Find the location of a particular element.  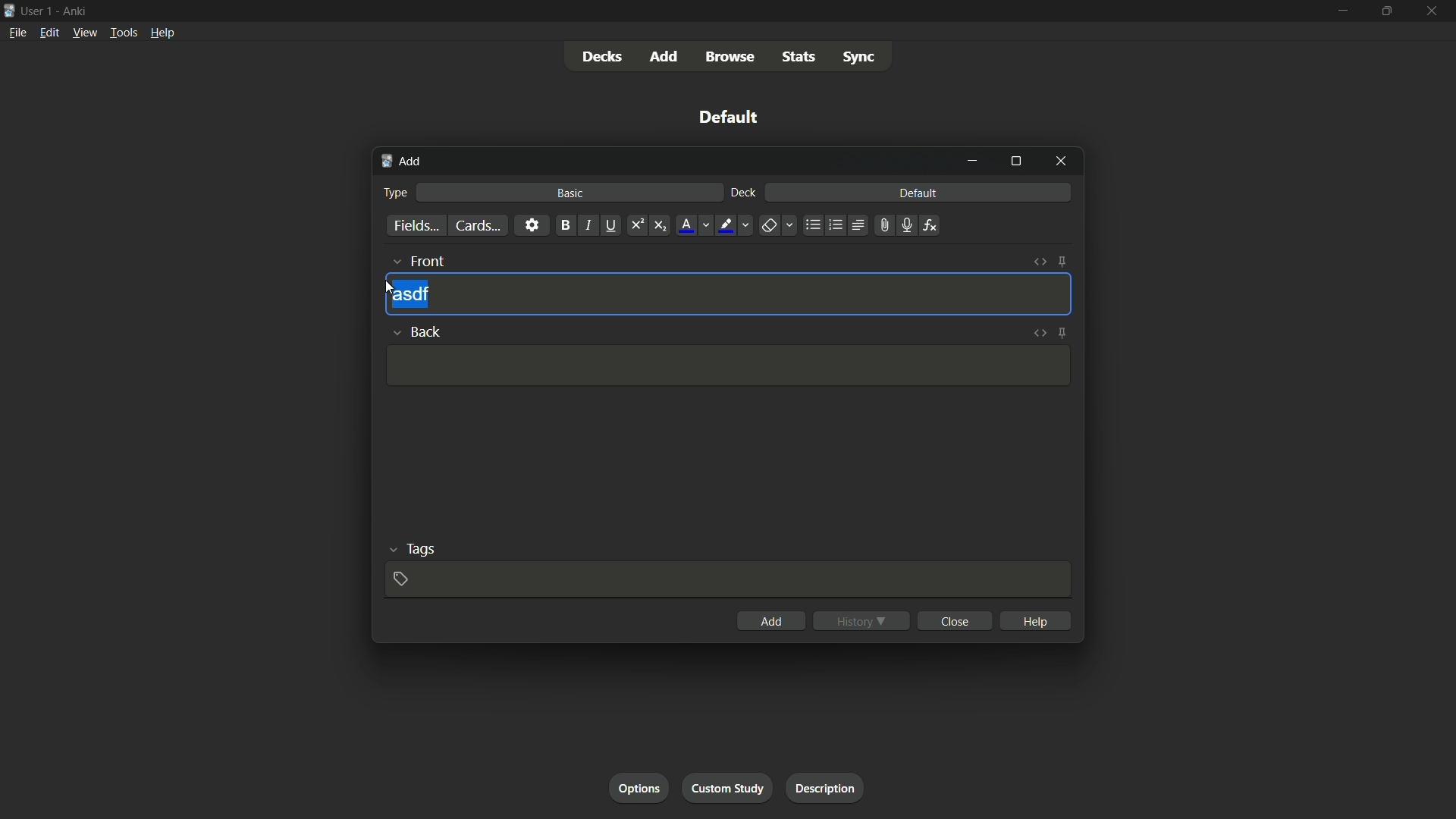

close  is located at coordinates (1061, 162).